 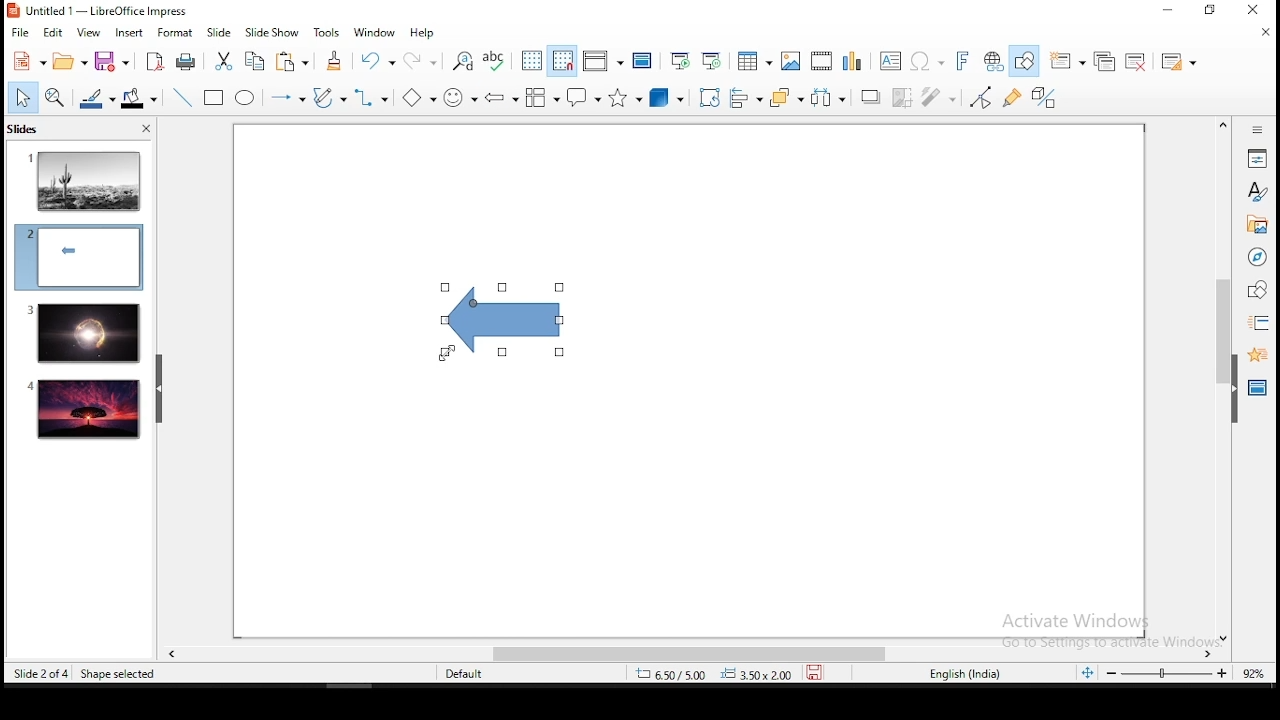 I want to click on ellipse, so click(x=244, y=98).